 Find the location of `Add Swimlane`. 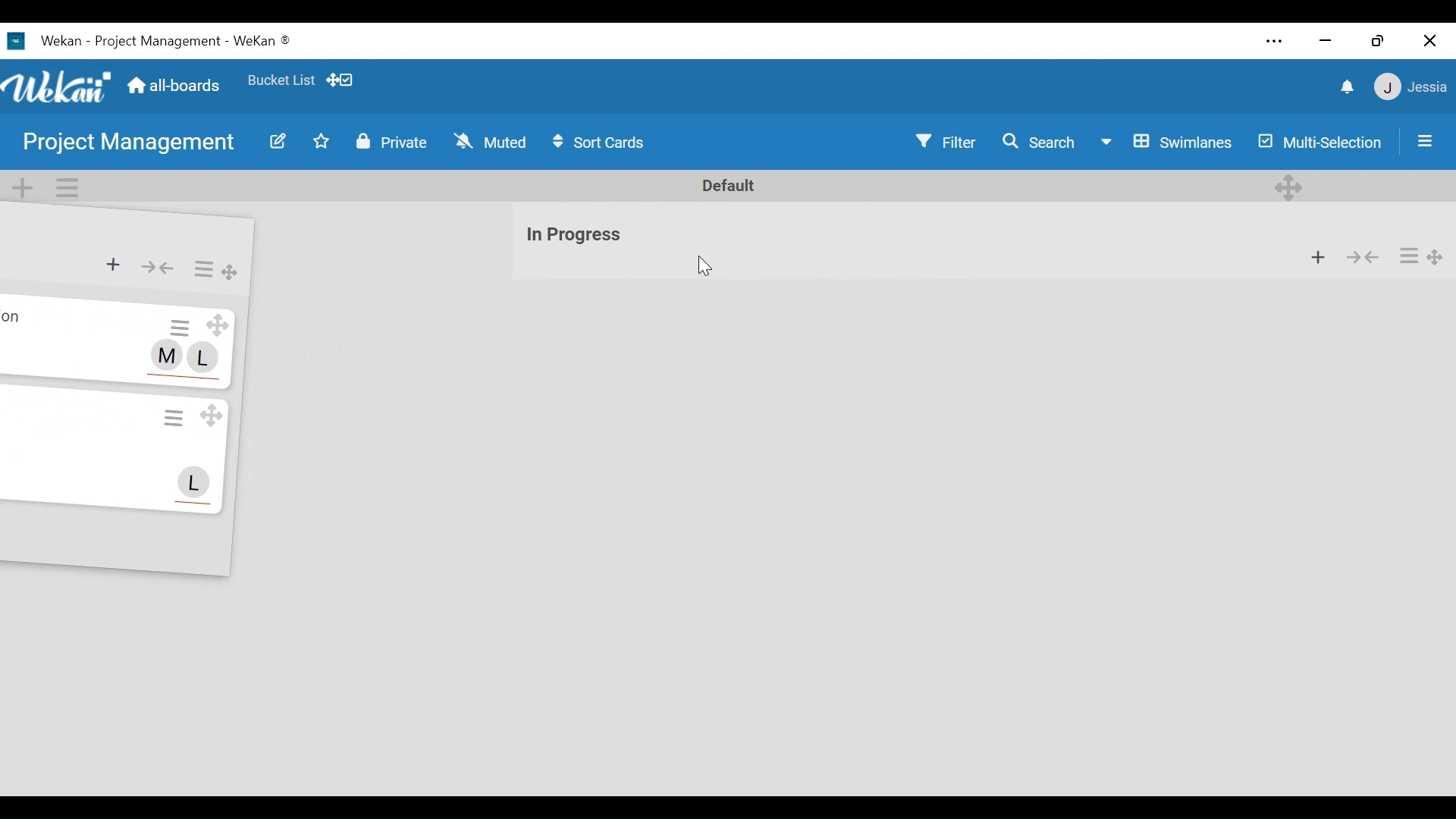

Add Swimlane is located at coordinates (21, 187).